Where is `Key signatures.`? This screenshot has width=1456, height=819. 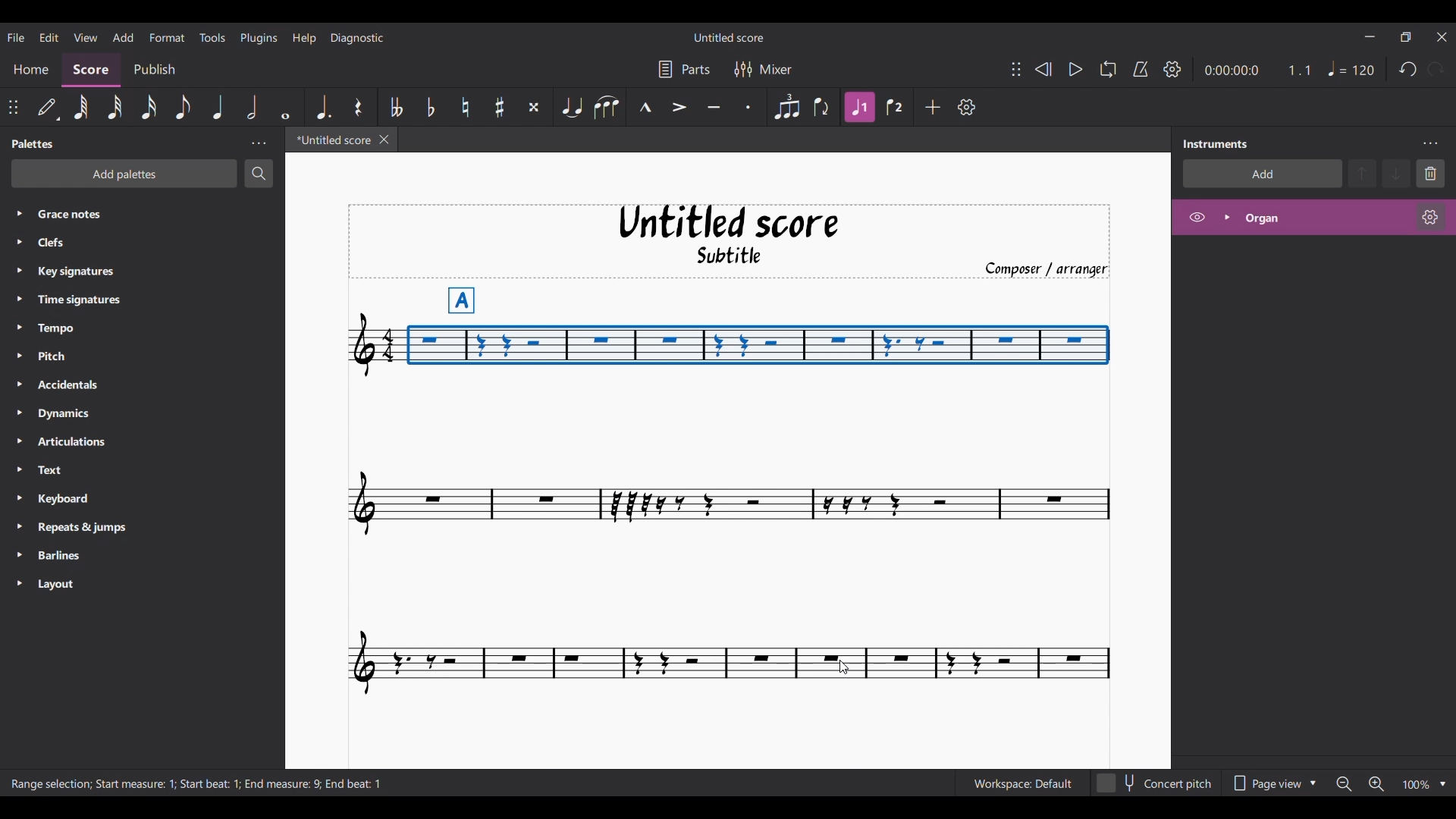
Key signatures. is located at coordinates (89, 273).